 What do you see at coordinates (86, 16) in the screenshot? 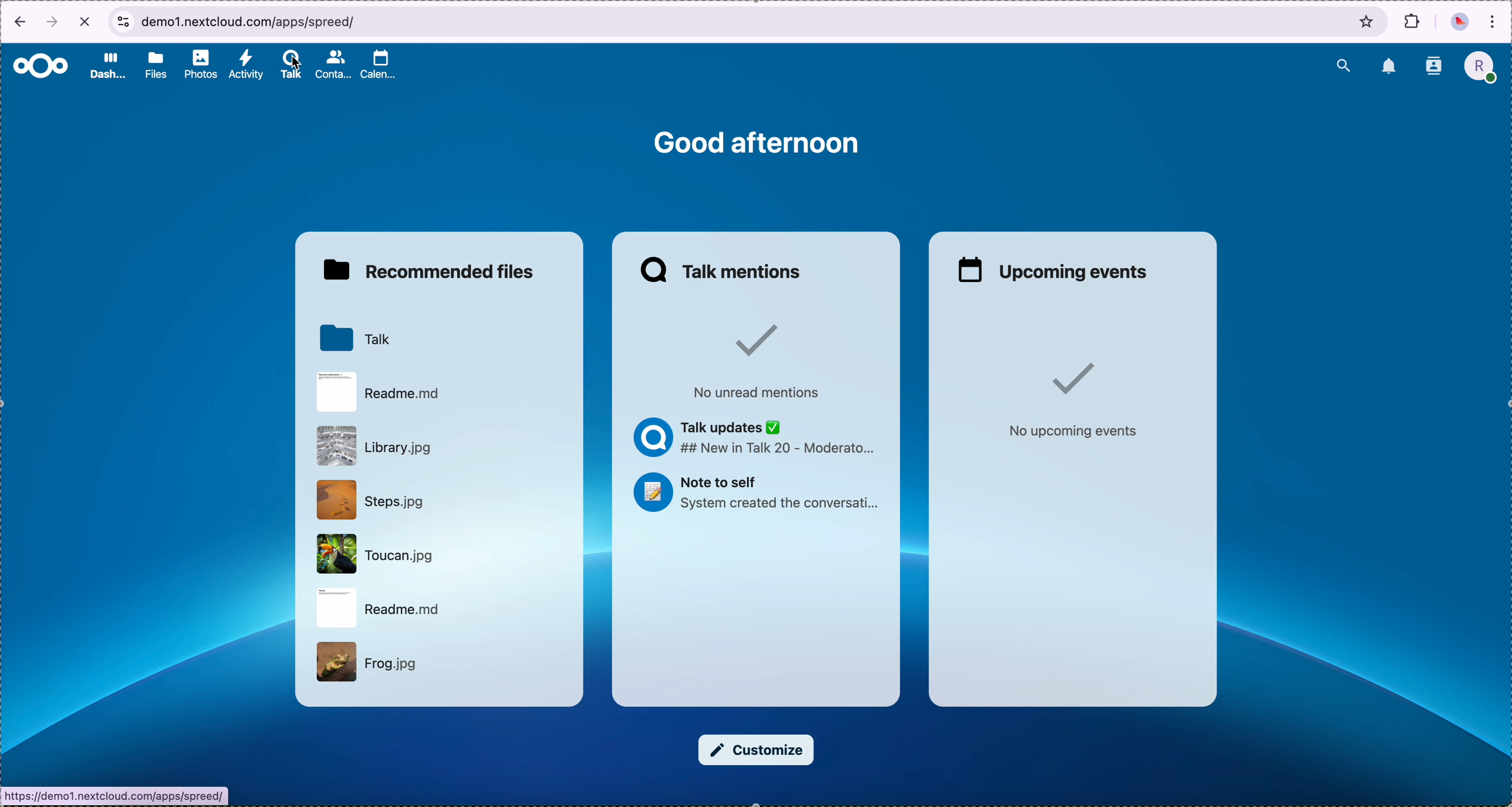
I see `cancel` at bounding box center [86, 16].